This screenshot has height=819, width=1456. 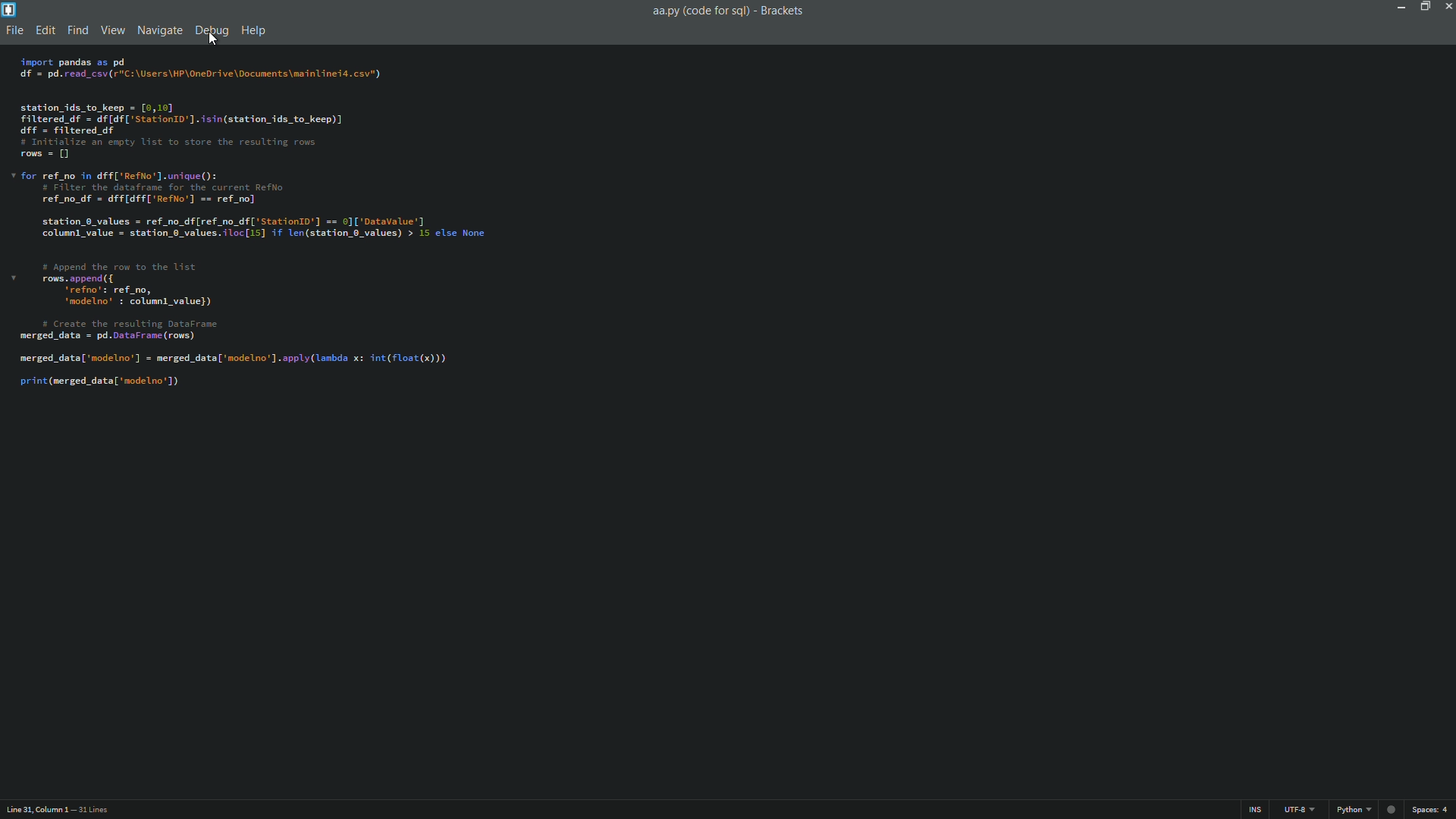 I want to click on Navigate menu, so click(x=158, y=32).